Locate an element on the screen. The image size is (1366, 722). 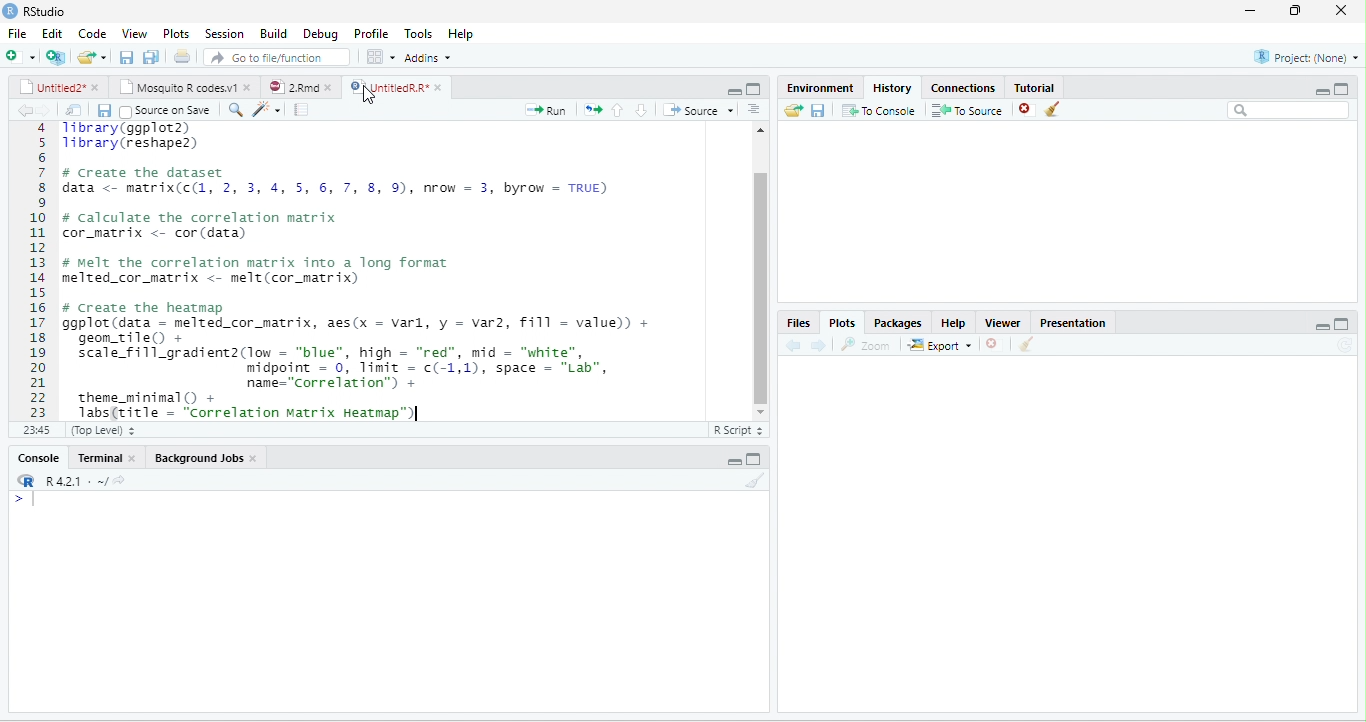
tutorial is located at coordinates (1062, 86).